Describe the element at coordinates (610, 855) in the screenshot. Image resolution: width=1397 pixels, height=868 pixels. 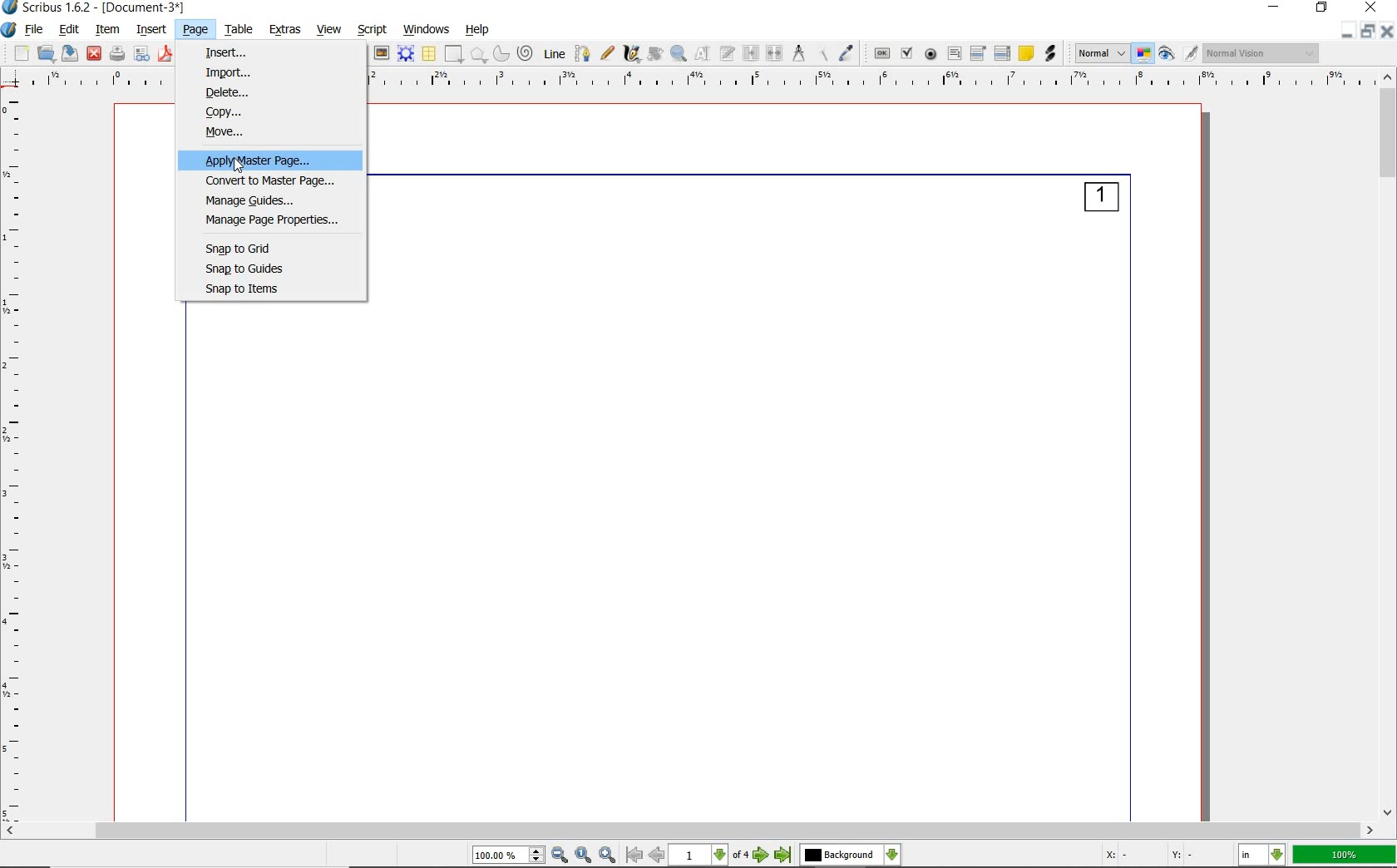
I see `zoom in` at that location.